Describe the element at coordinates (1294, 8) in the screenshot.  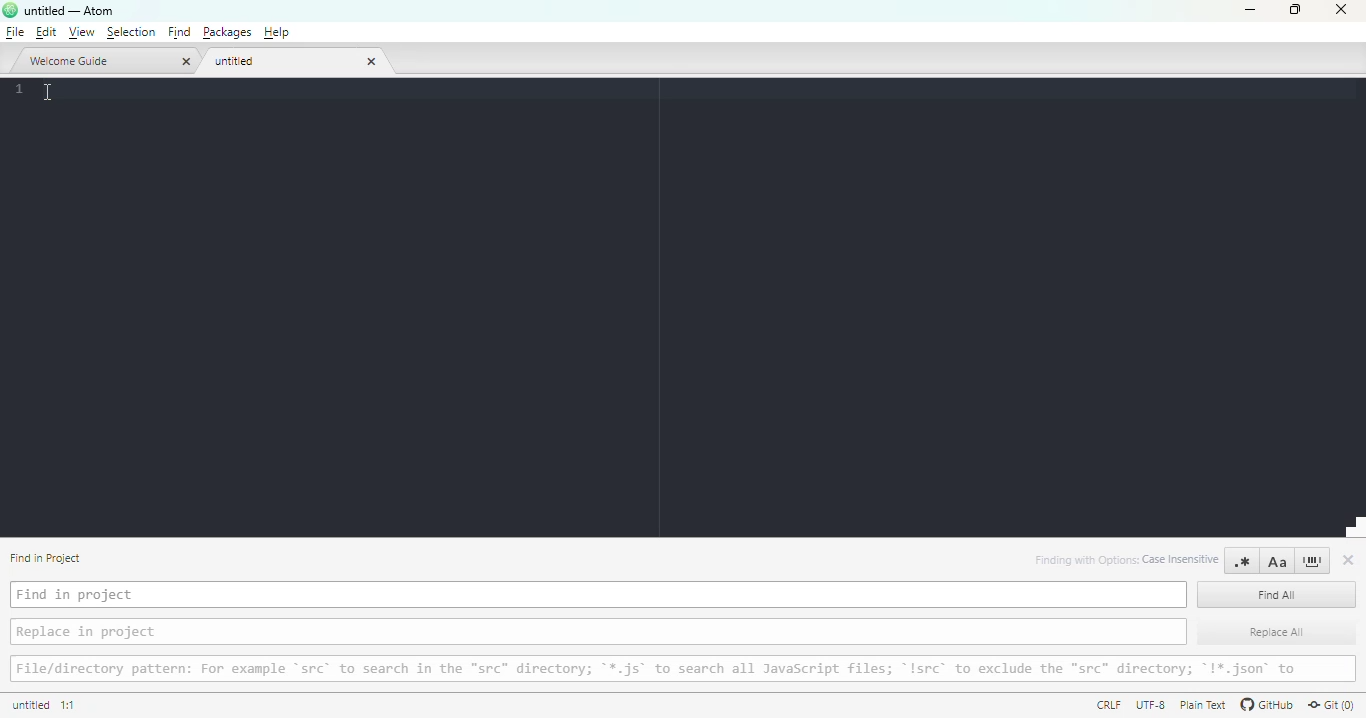
I see `maximize` at that location.